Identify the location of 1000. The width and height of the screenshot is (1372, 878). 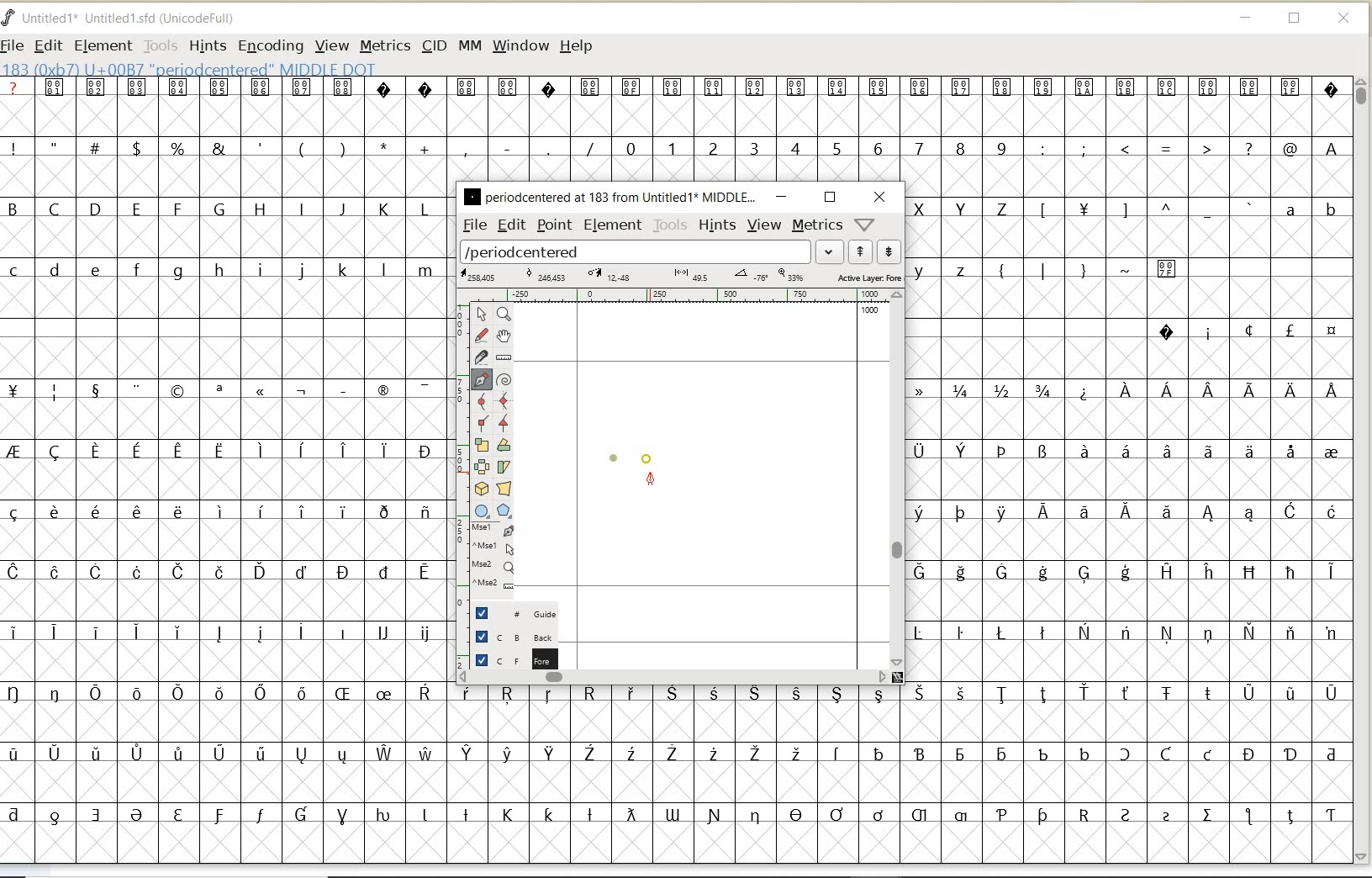
(870, 312).